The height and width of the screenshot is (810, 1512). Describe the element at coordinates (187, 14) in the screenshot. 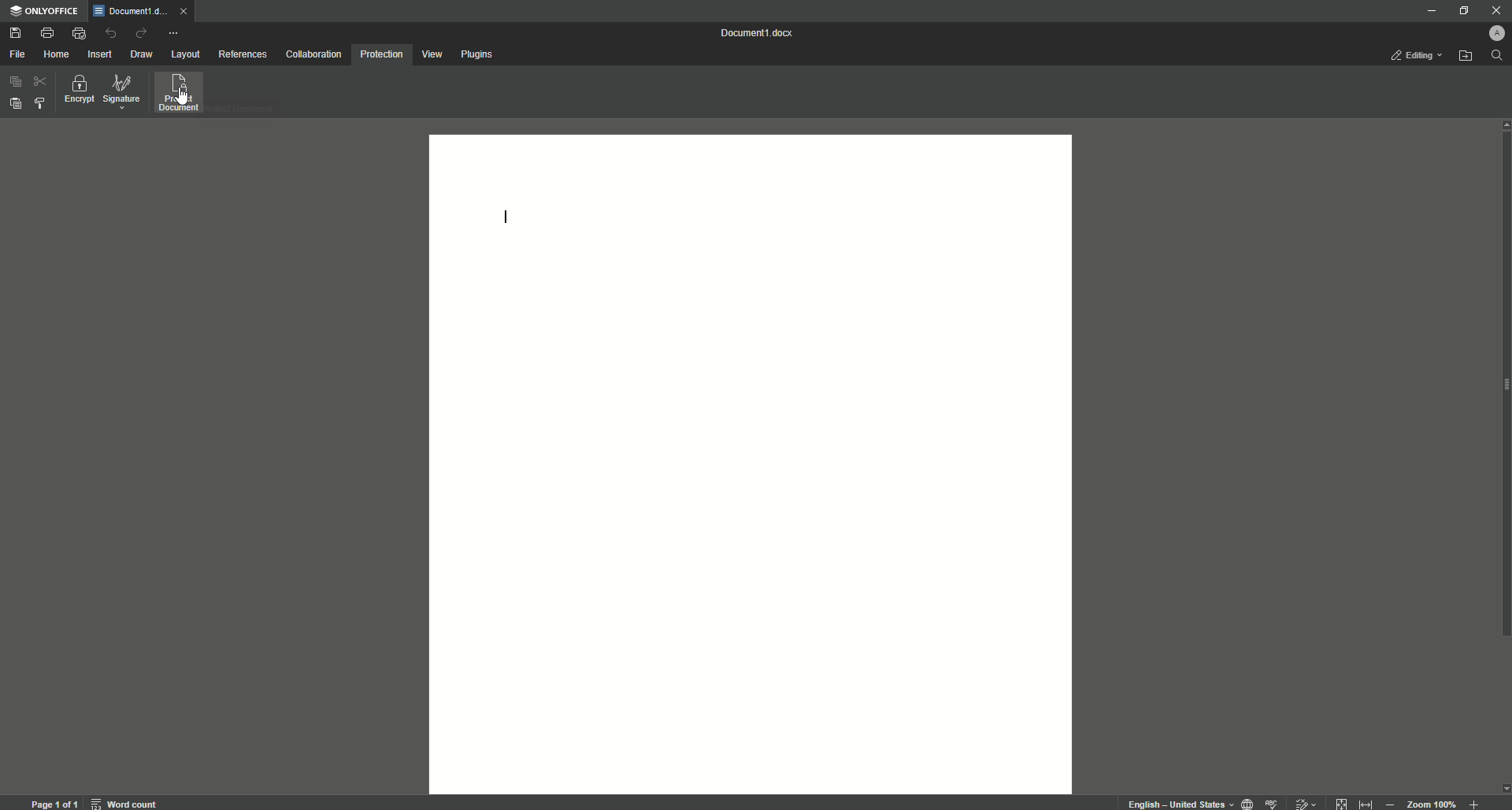

I see `close` at that location.